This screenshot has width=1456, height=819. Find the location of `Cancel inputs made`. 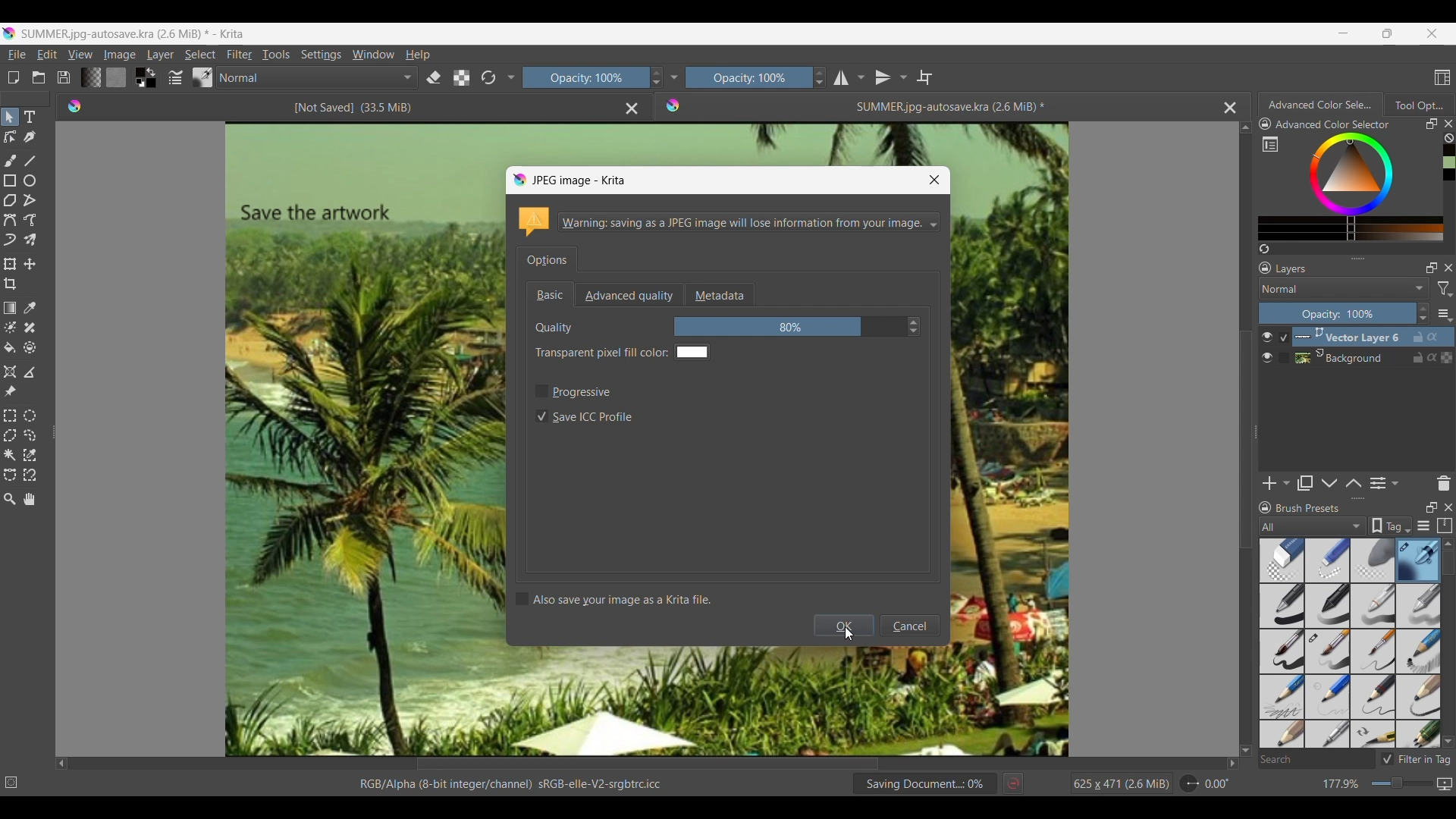

Cancel inputs made is located at coordinates (909, 626).